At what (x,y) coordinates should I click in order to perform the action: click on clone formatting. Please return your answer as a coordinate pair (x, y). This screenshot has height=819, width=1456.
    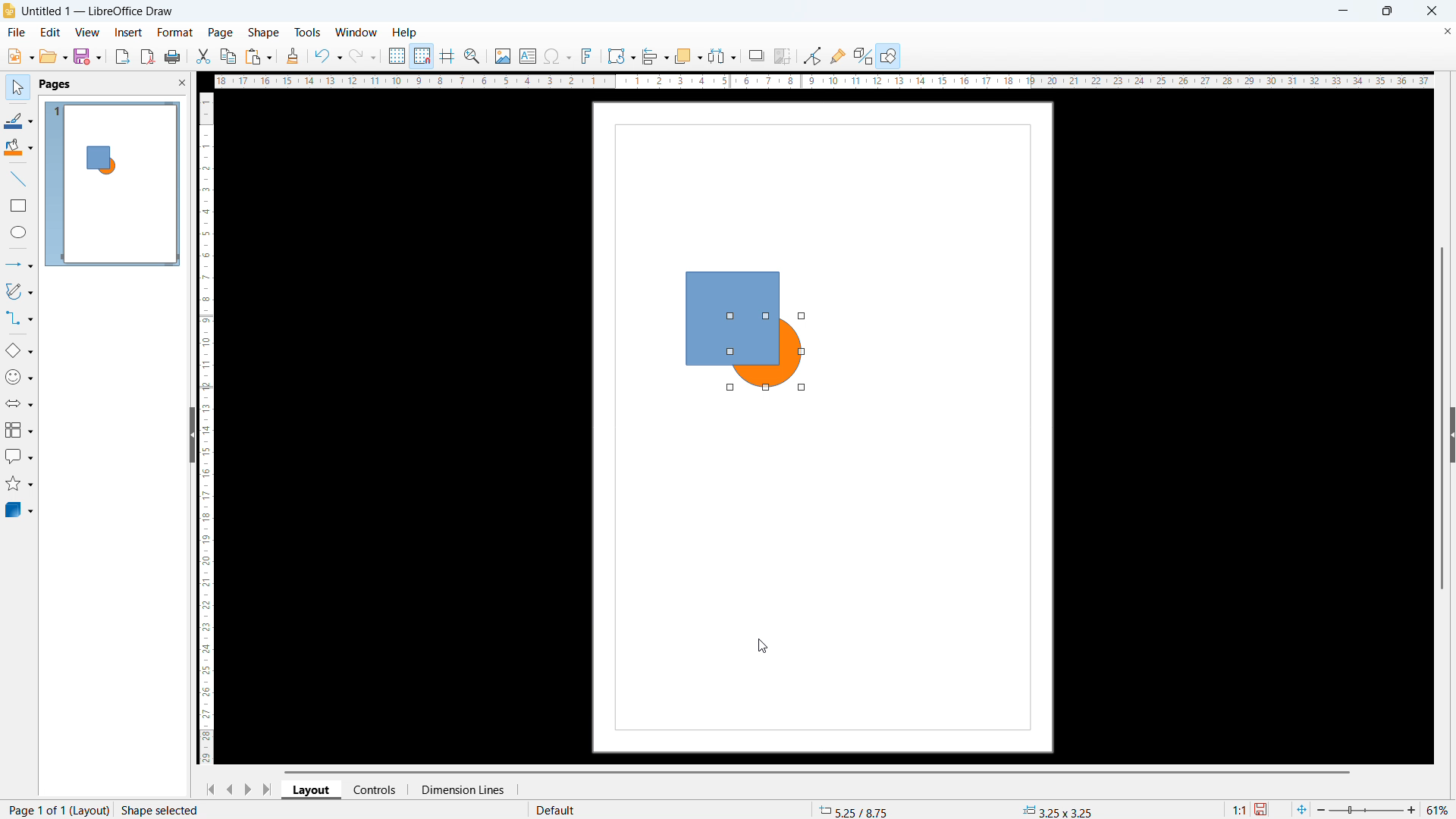
    Looking at the image, I should click on (293, 55).